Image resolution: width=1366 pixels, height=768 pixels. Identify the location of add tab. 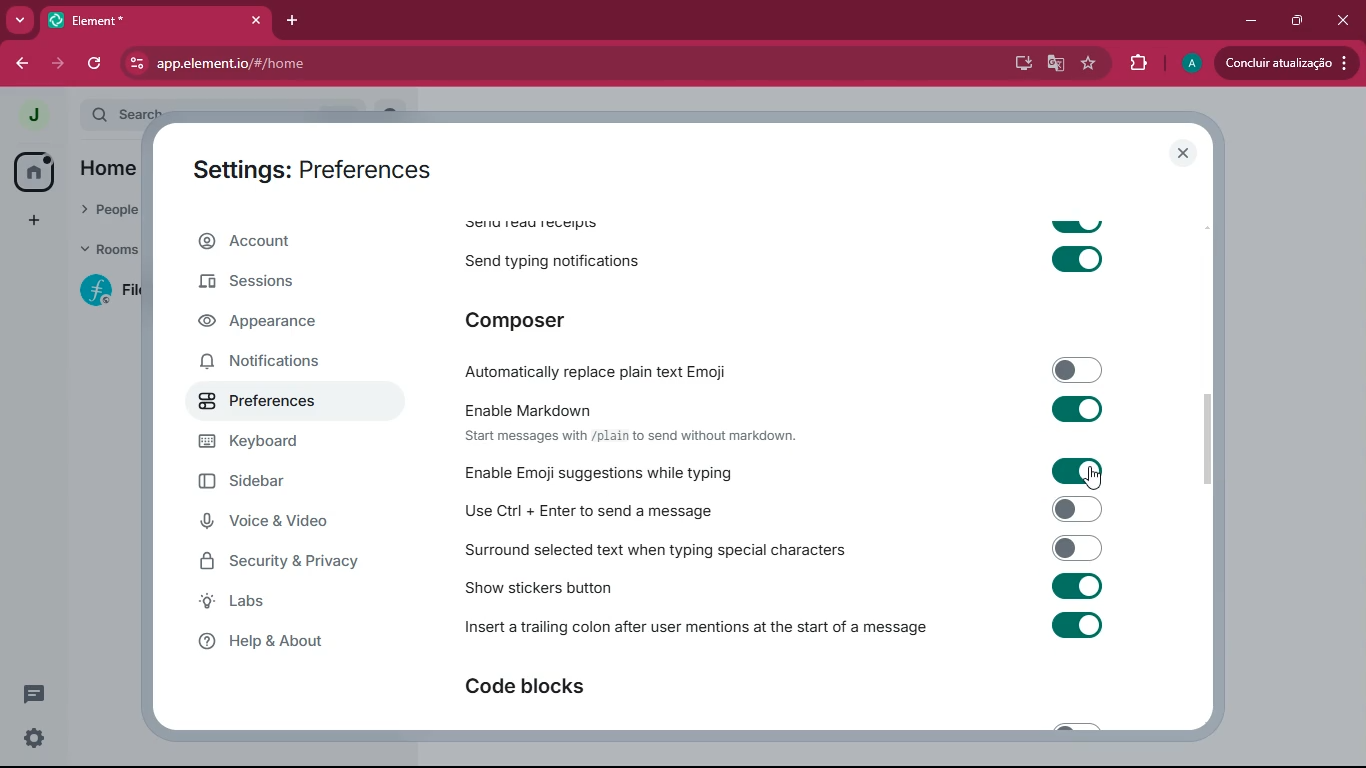
(288, 20).